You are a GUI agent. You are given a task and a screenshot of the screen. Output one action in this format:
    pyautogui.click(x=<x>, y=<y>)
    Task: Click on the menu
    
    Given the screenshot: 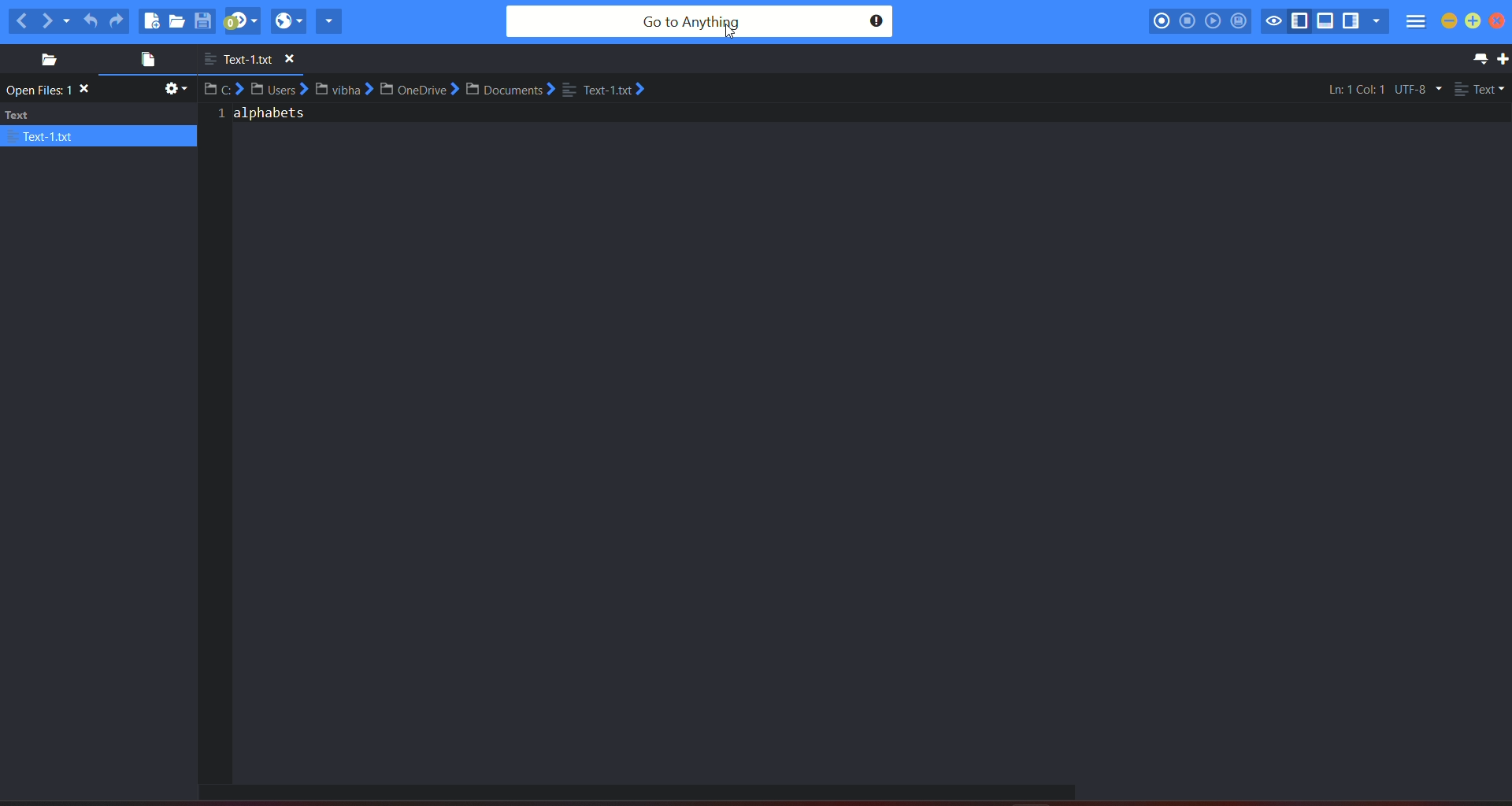 What is the action you would take?
    pyautogui.click(x=1414, y=24)
    